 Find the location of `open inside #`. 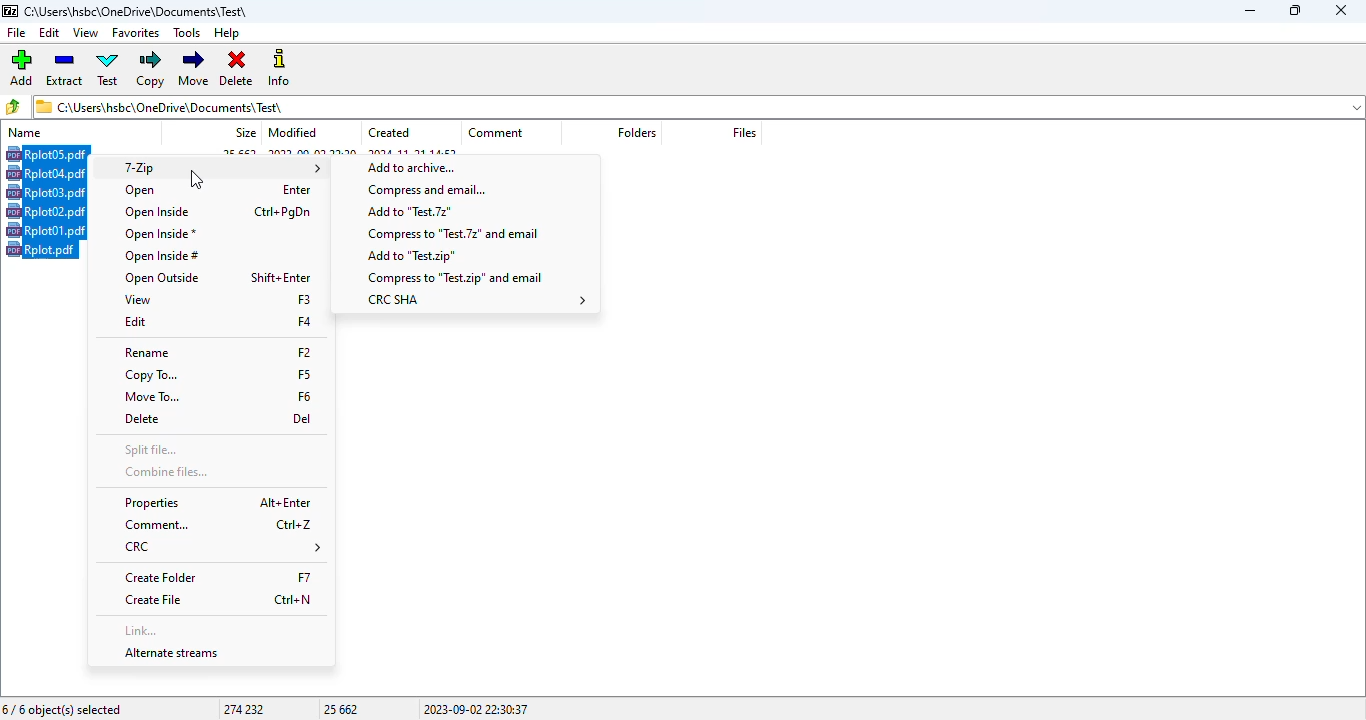

open inside # is located at coordinates (161, 257).